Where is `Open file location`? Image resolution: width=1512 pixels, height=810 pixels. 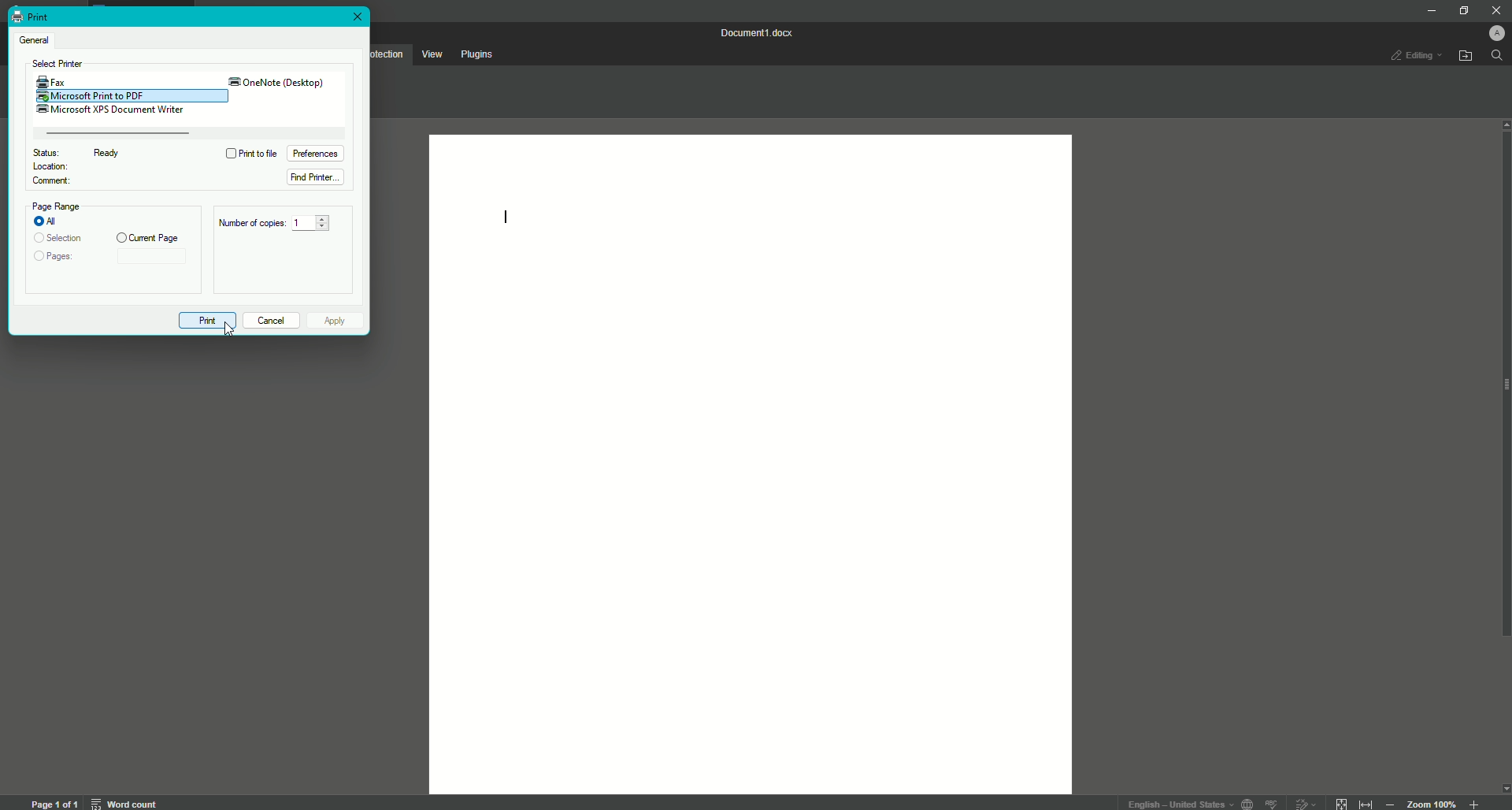 Open file location is located at coordinates (1467, 56).